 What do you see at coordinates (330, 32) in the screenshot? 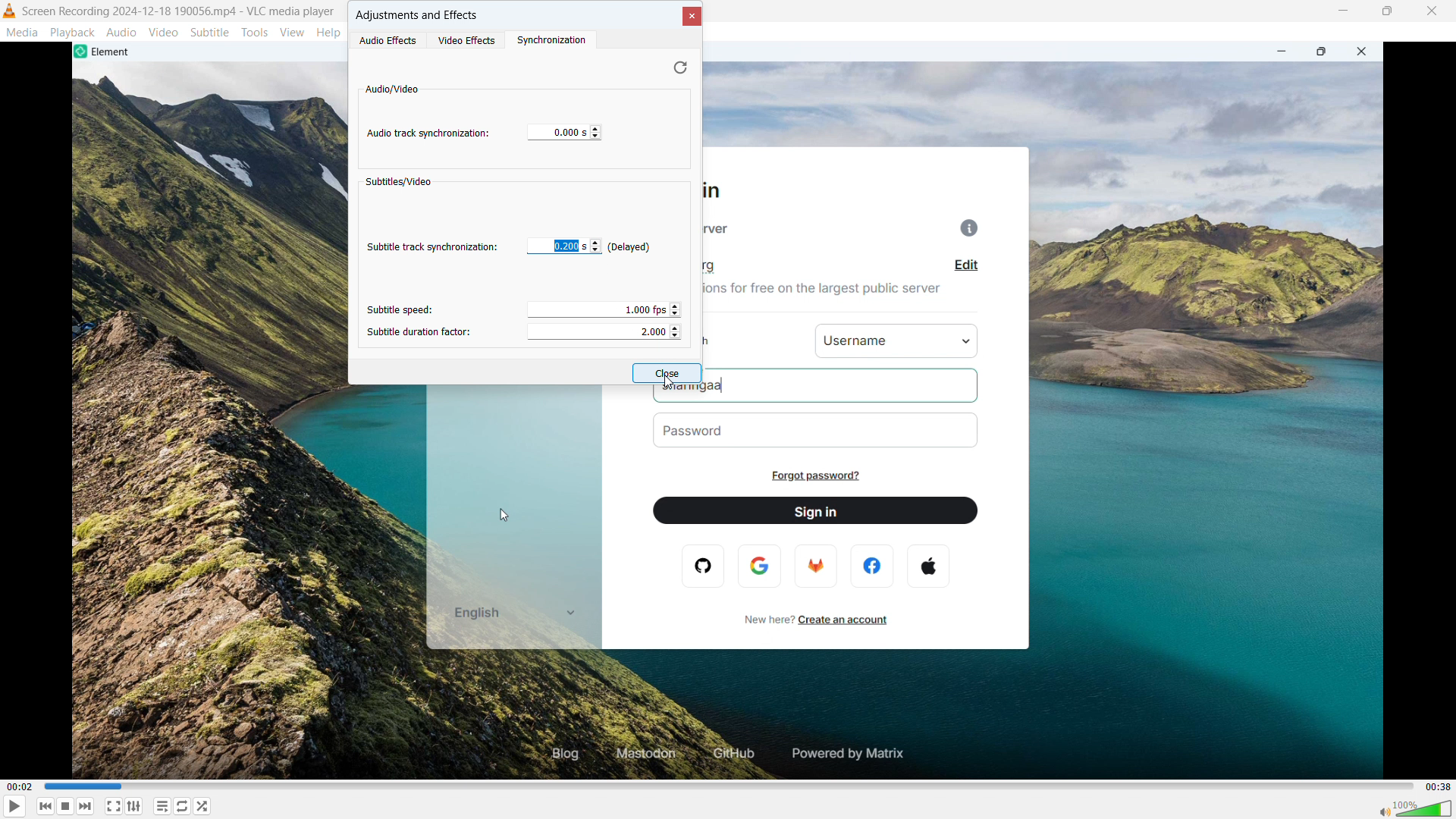
I see `help` at bounding box center [330, 32].